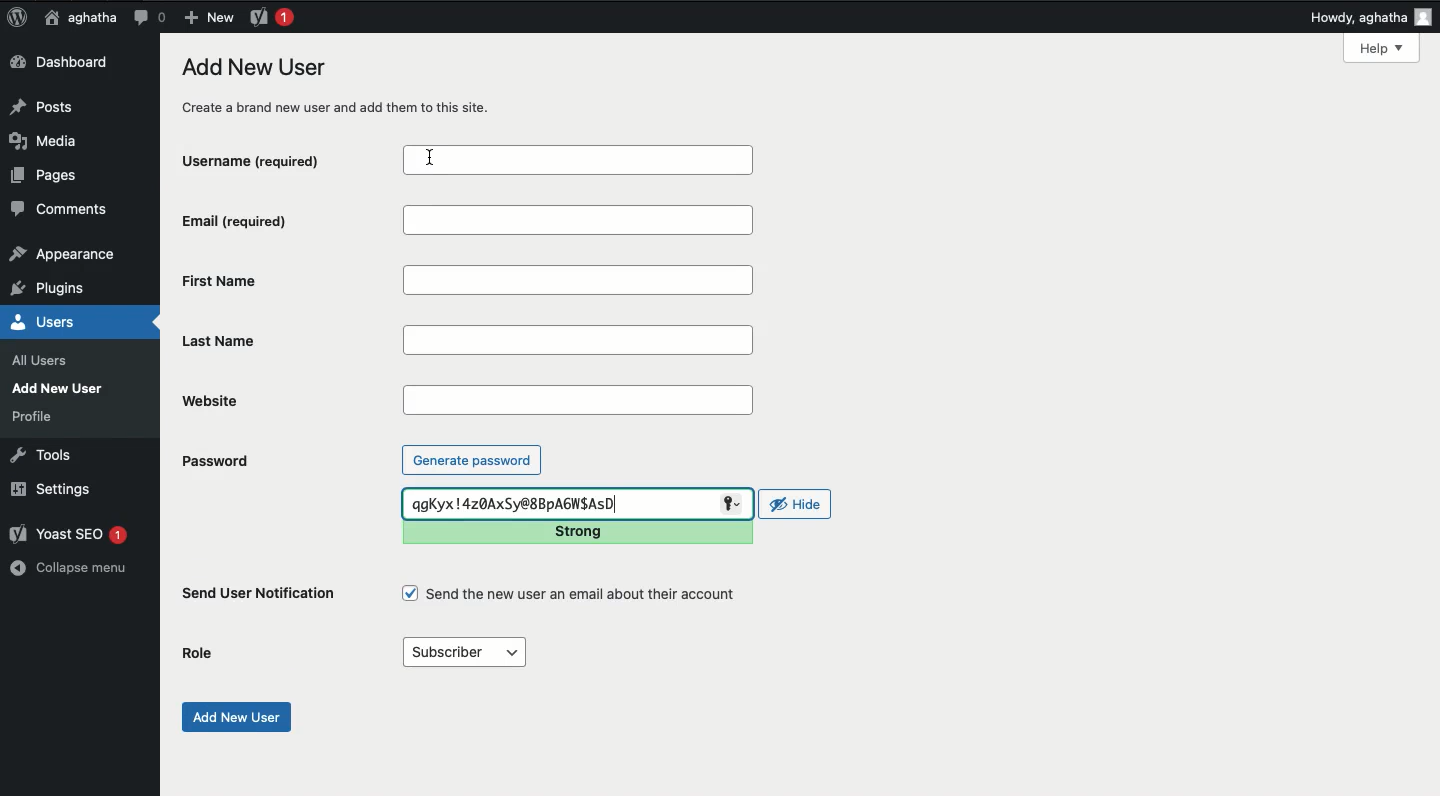 This screenshot has height=796, width=1440. Describe the element at coordinates (578, 399) in the screenshot. I see `Website` at that location.